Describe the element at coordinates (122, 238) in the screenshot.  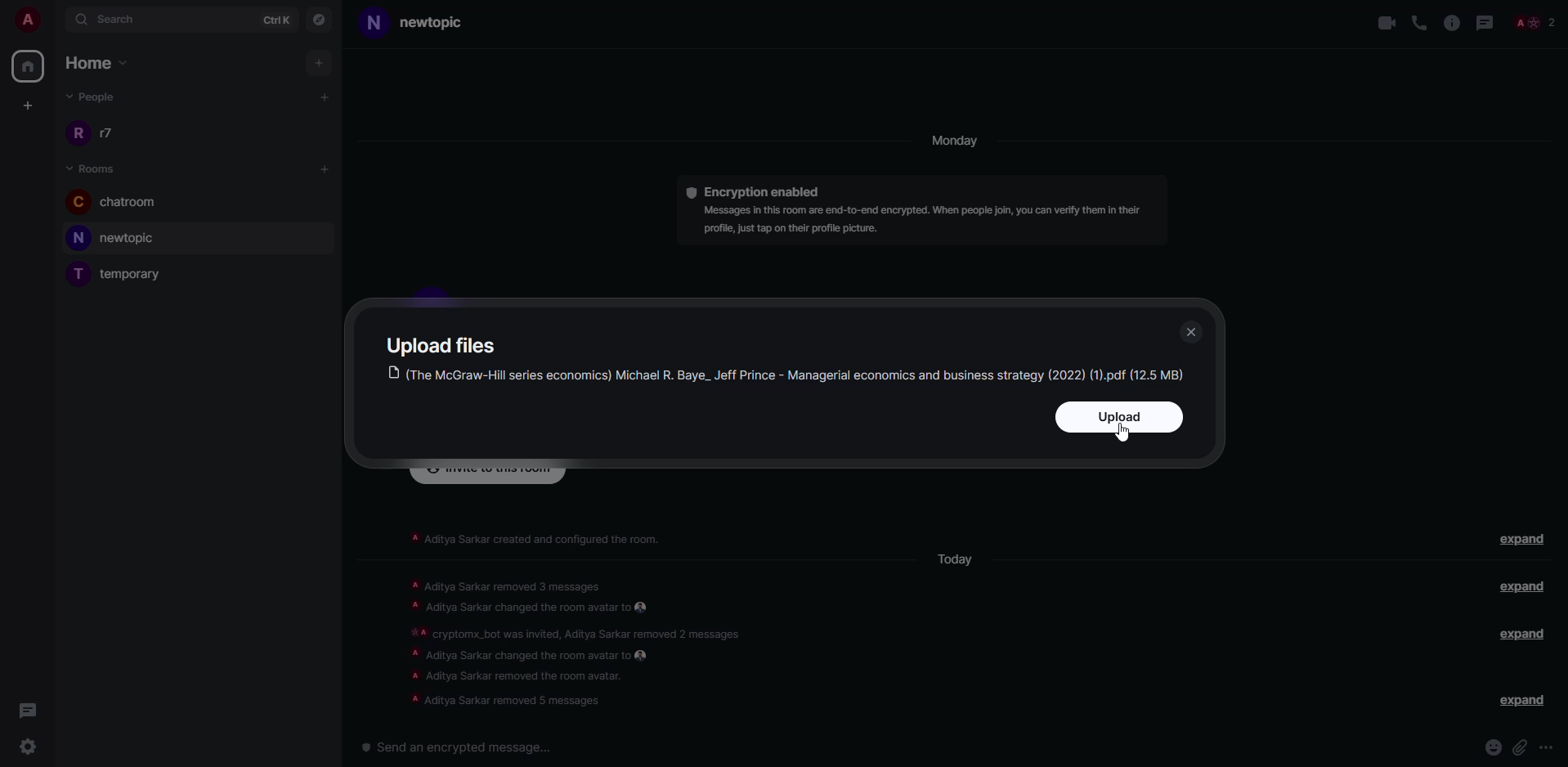
I see `room` at that location.